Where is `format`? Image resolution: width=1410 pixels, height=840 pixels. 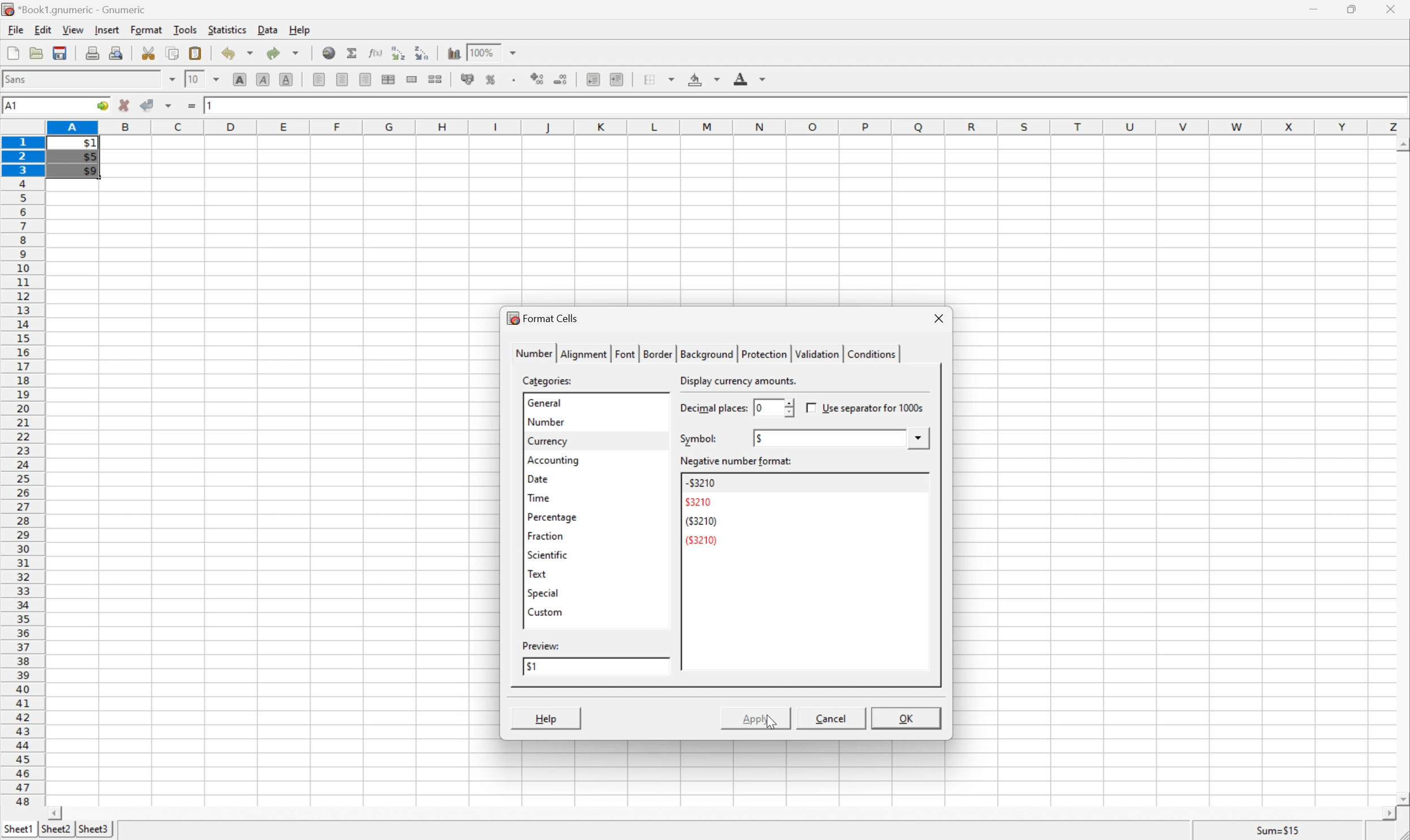
format is located at coordinates (148, 29).